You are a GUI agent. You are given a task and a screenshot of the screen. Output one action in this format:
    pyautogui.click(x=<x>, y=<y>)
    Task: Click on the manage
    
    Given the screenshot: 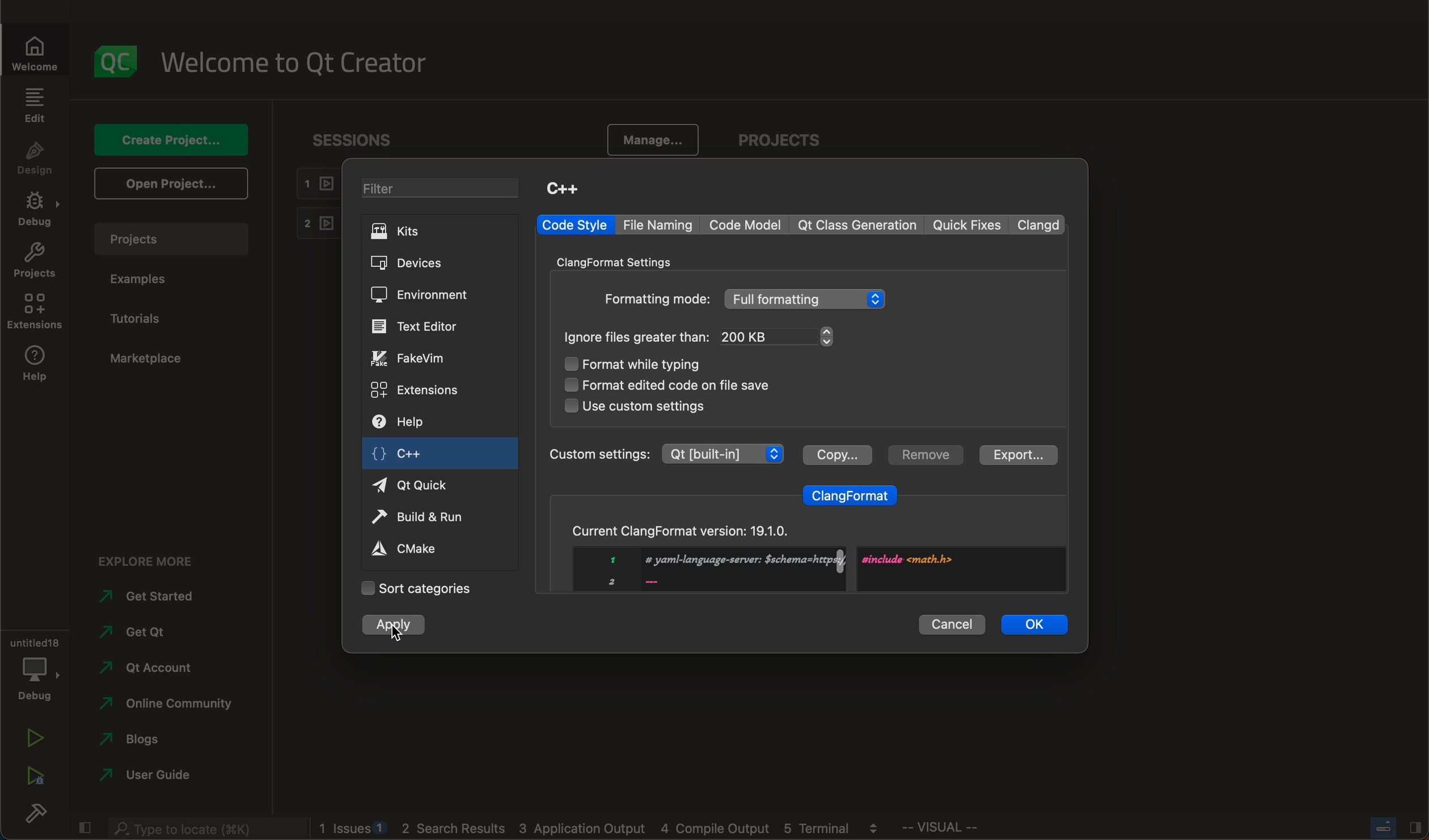 What is the action you would take?
    pyautogui.click(x=648, y=141)
    